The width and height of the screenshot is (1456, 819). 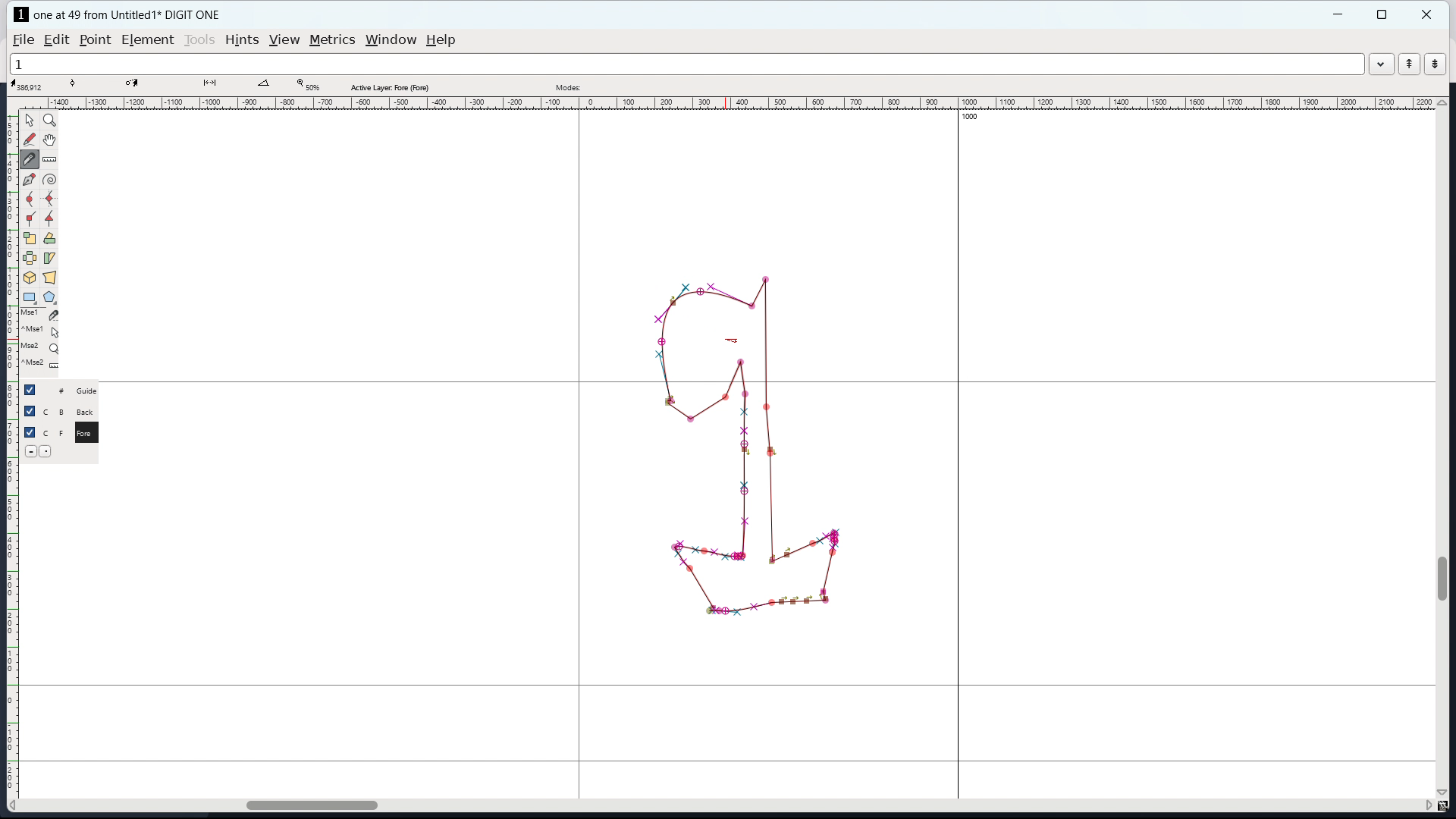 What do you see at coordinates (1340, 14) in the screenshot?
I see `minimize` at bounding box center [1340, 14].